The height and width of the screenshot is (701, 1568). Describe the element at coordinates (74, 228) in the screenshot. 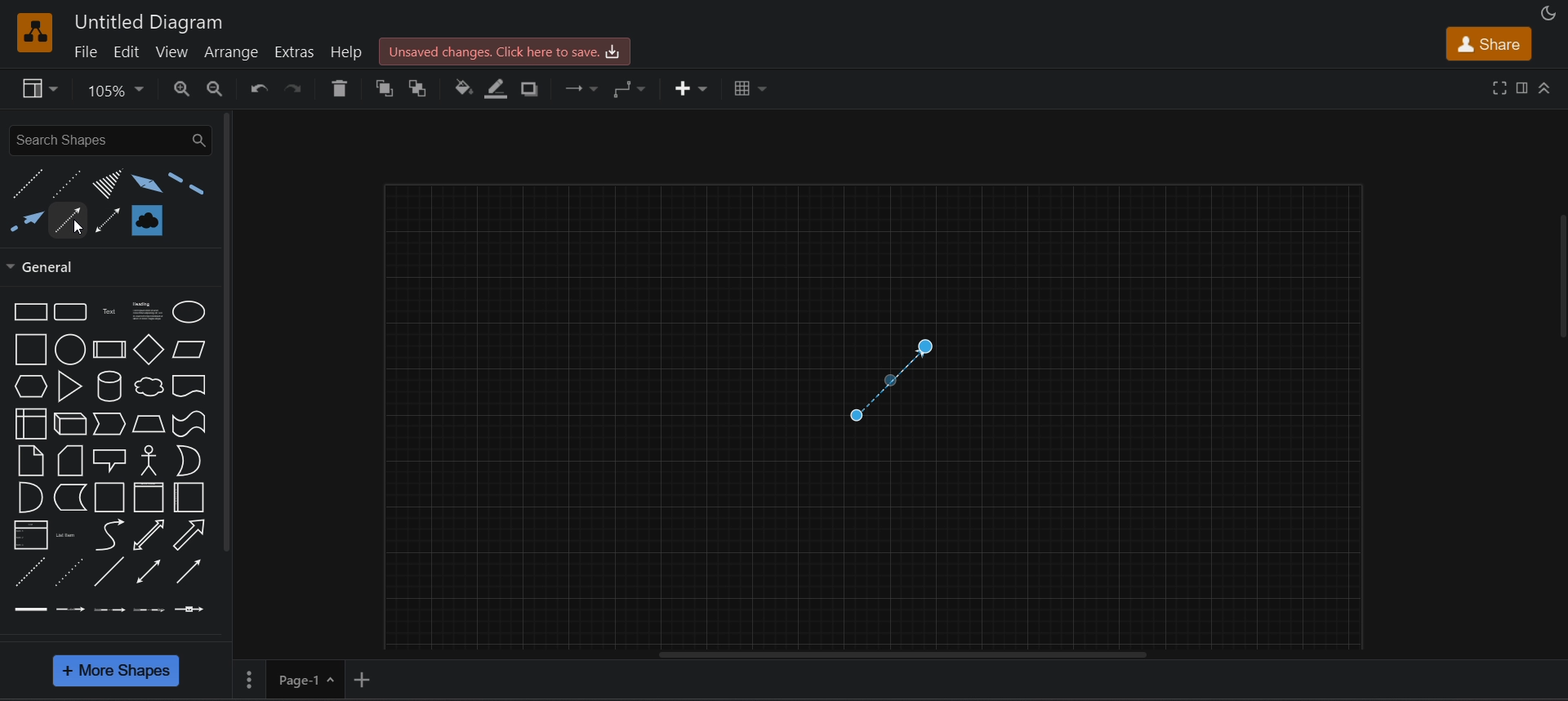

I see `cursor` at that location.